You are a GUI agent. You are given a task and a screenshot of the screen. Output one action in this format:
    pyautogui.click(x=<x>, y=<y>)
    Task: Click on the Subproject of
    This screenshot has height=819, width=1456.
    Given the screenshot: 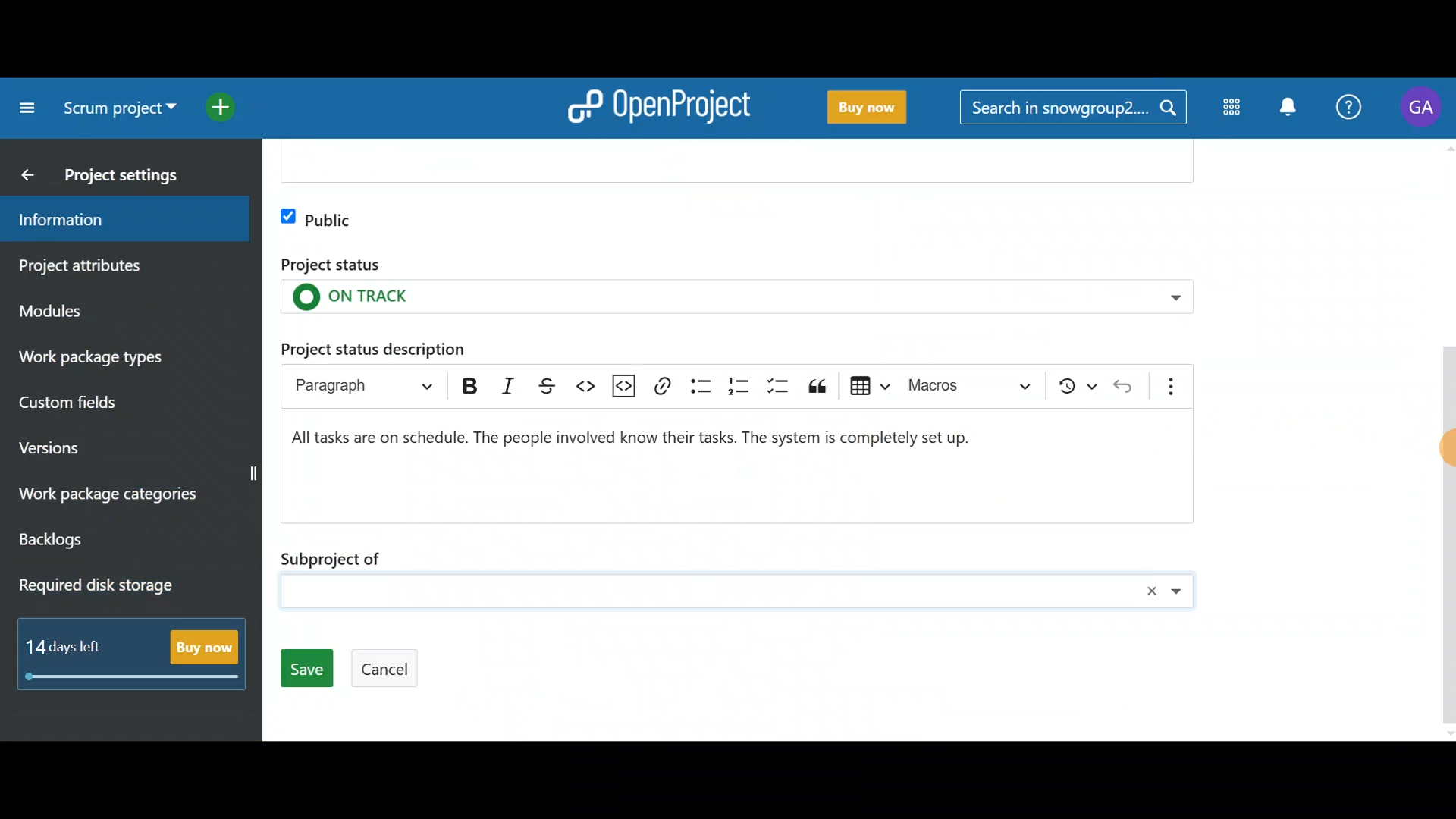 What is the action you would take?
    pyautogui.click(x=740, y=577)
    